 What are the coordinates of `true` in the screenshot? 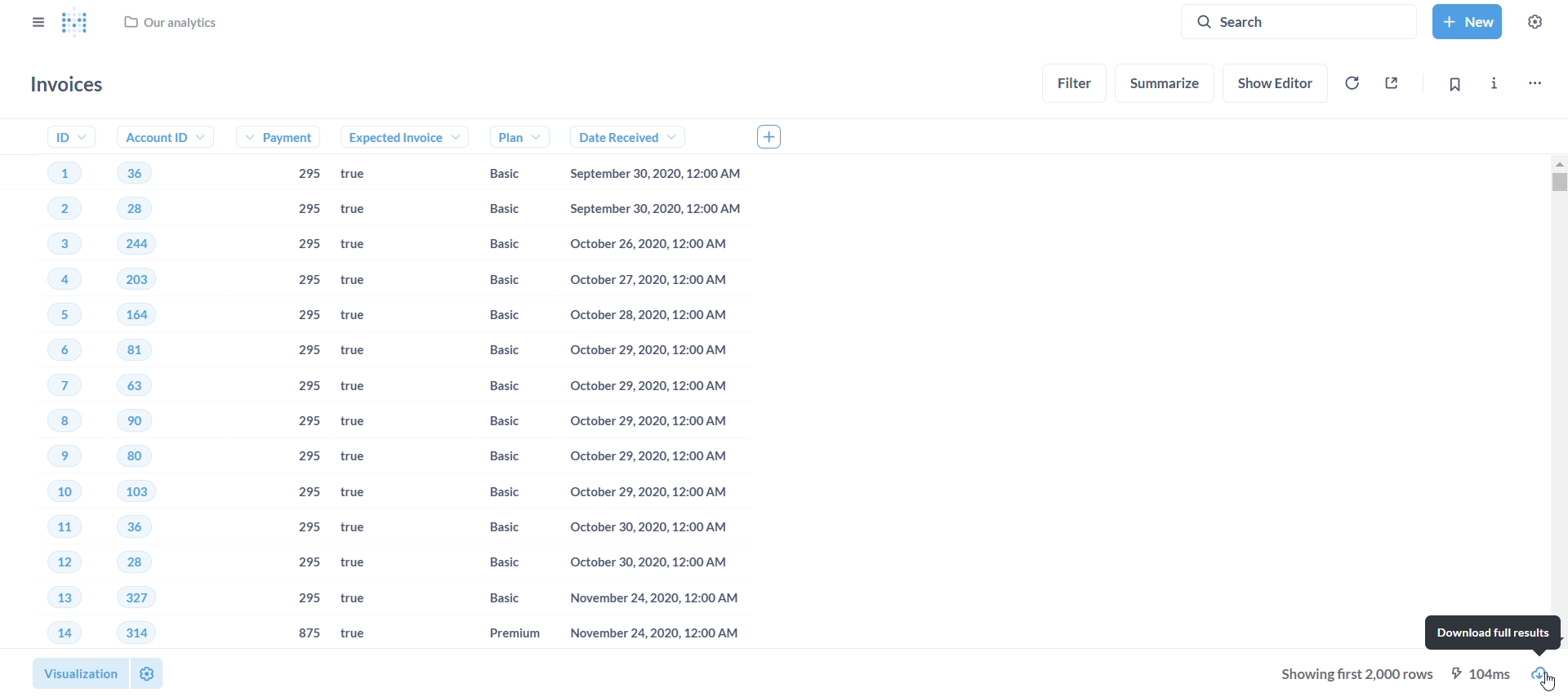 It's located at (362, 600).